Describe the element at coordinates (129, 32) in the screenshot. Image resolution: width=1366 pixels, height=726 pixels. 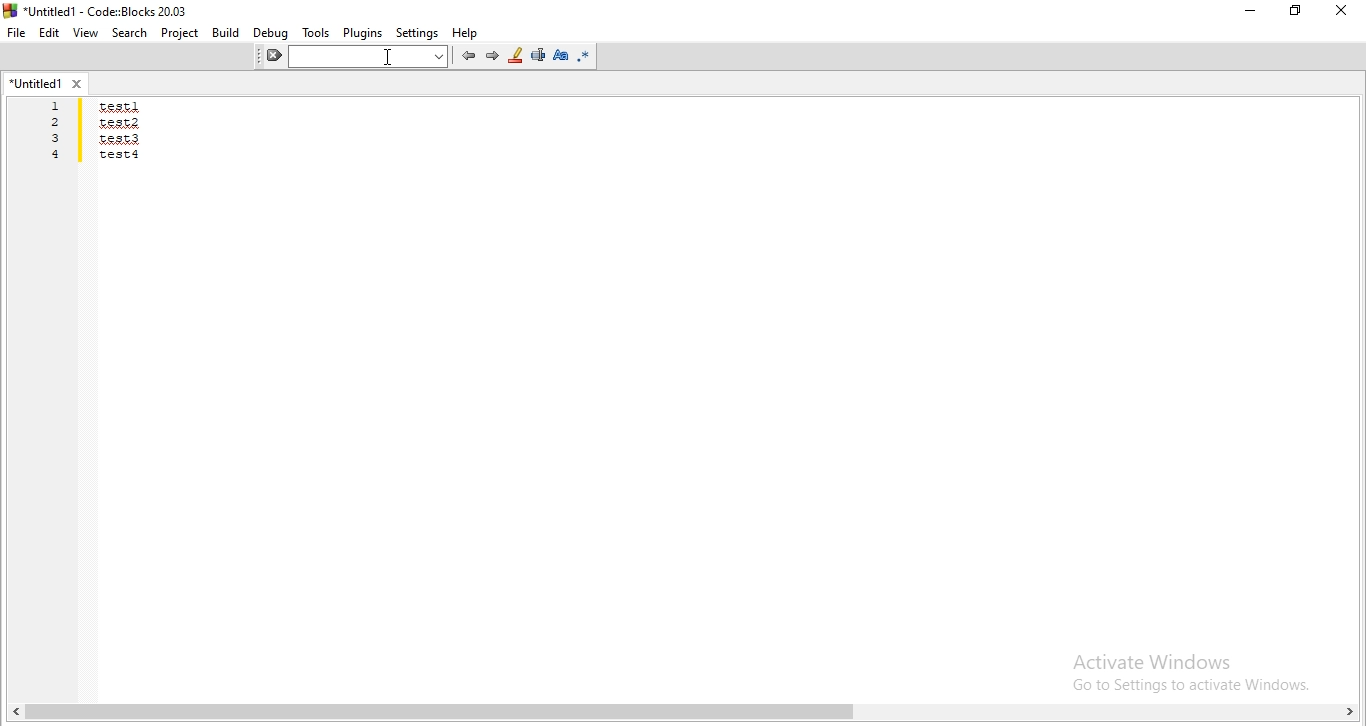
I see `Search ` at that location.